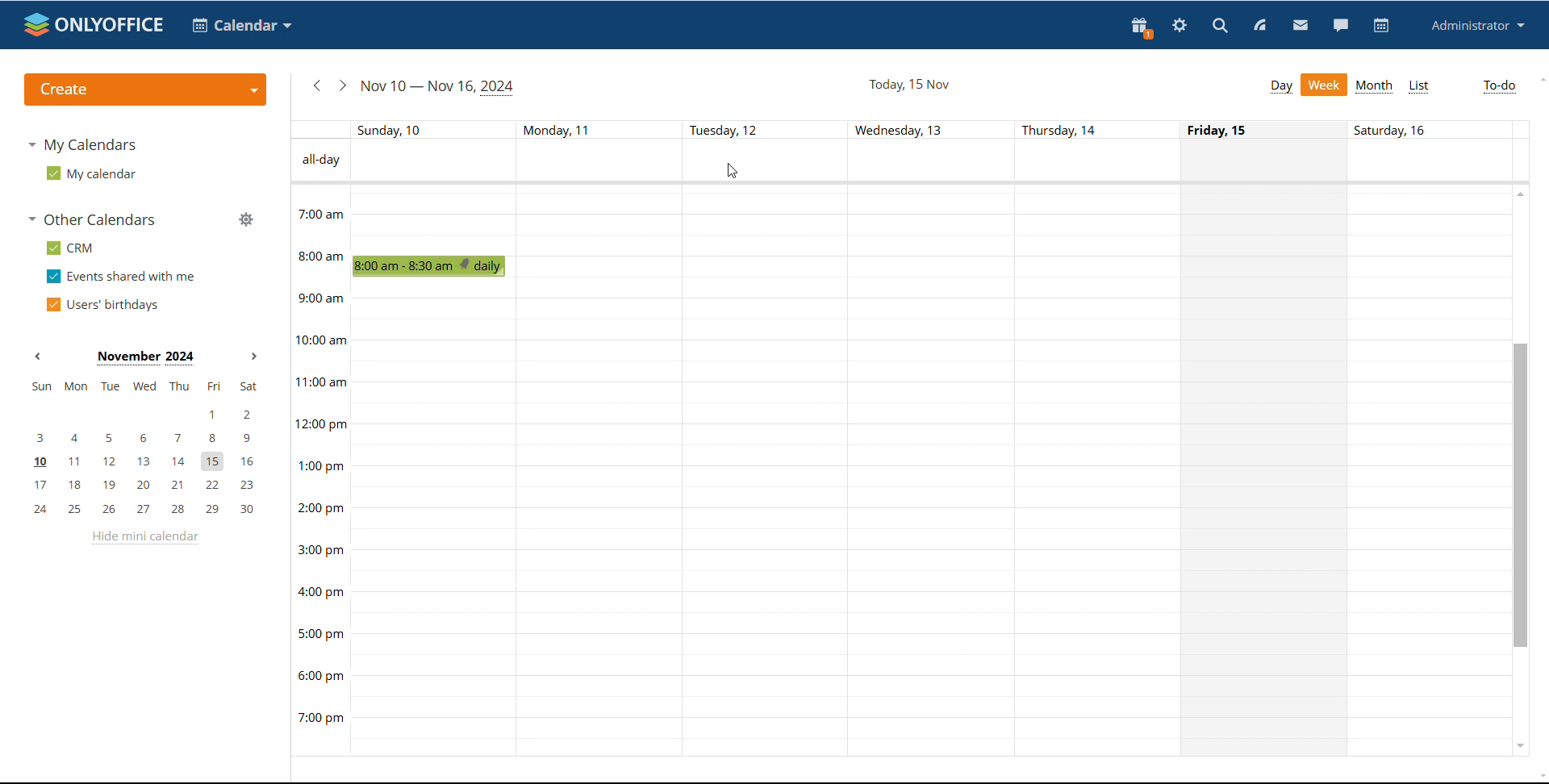 This screenshot has width=1549, height=784. I want to click on feed, so click(1261, 27).